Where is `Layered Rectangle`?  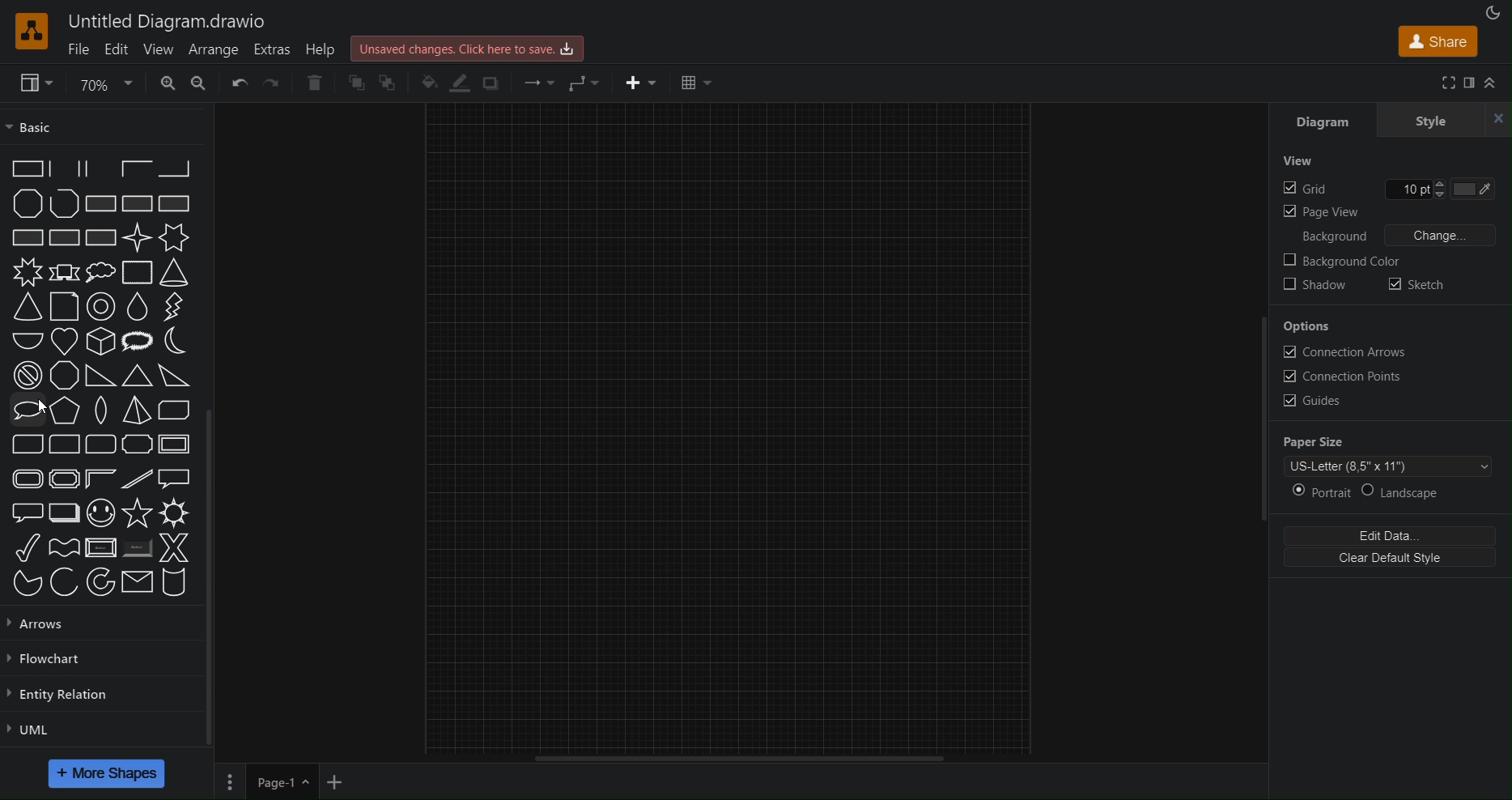
Layered Rectangle is located at coordinates (63, 512).